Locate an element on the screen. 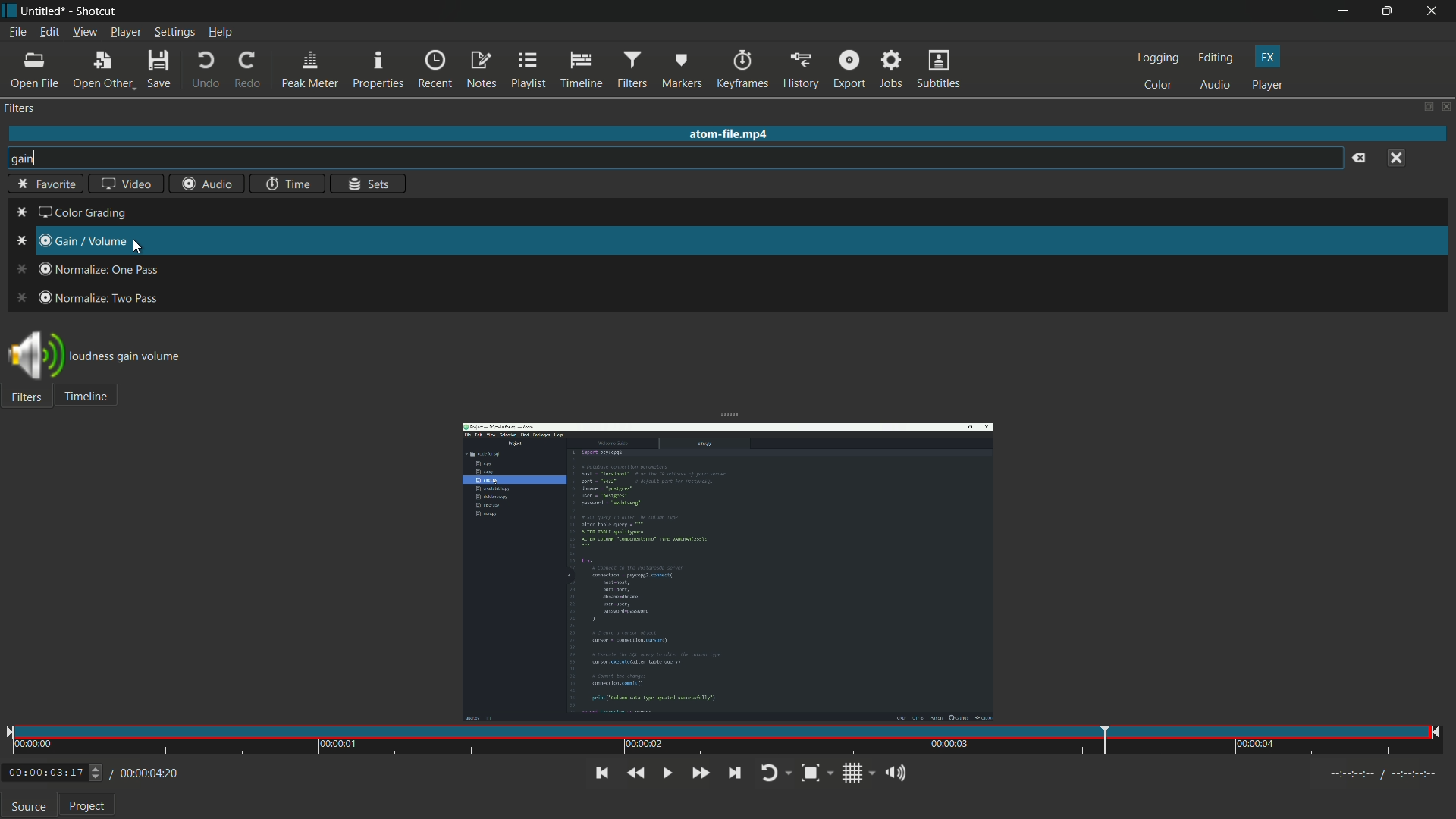 This screenshot has height=819, width=1456. toggle grid is located at coordinates (859, 774).